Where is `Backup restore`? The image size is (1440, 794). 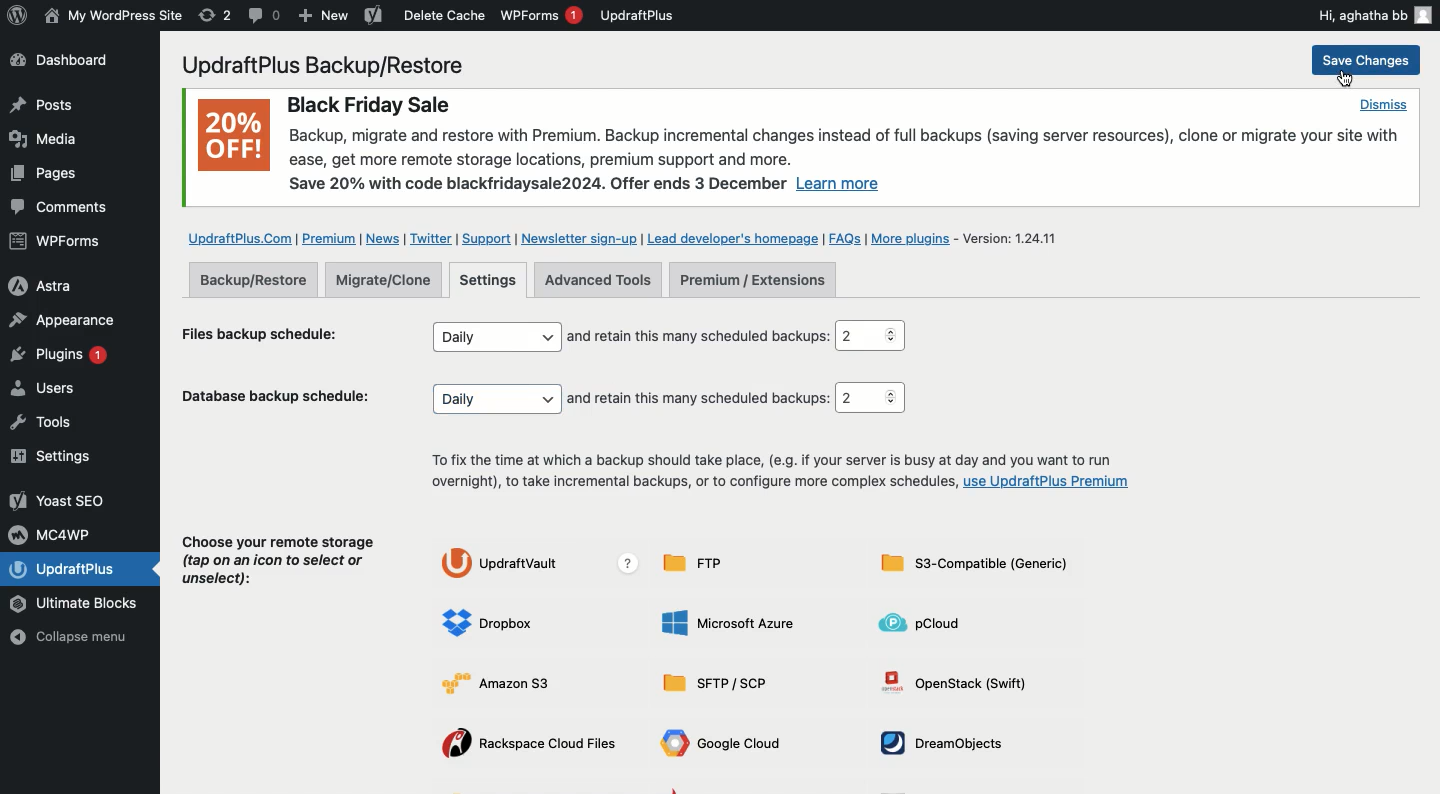 Backup restore is located at coordinates (253, 279).